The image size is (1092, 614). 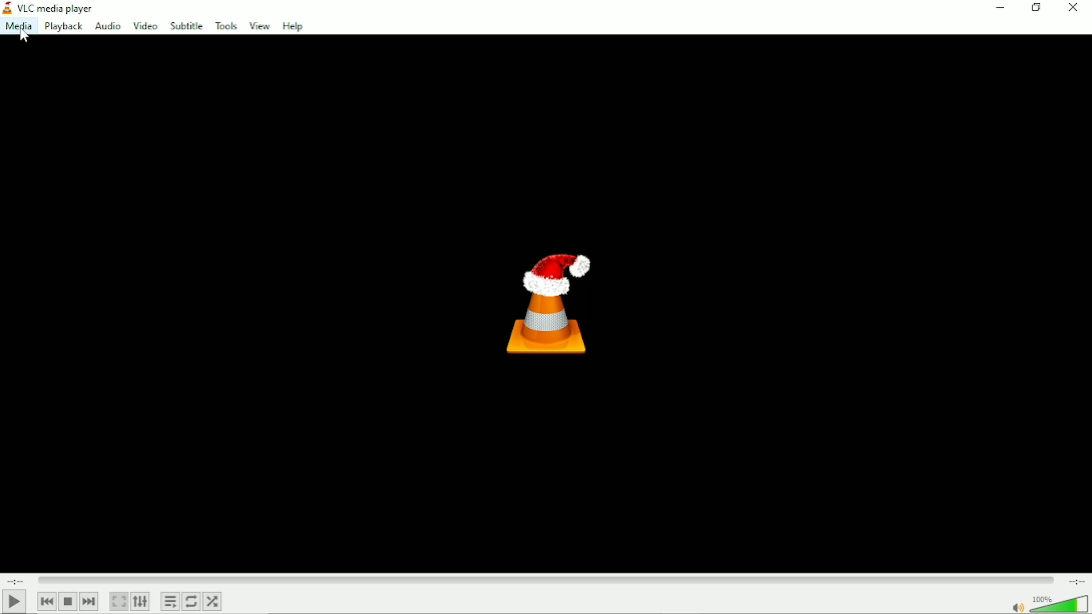 What do you see at coordinates (27, 39) in the screenshot?
I see `cursor` at bounding box center [27, 39].